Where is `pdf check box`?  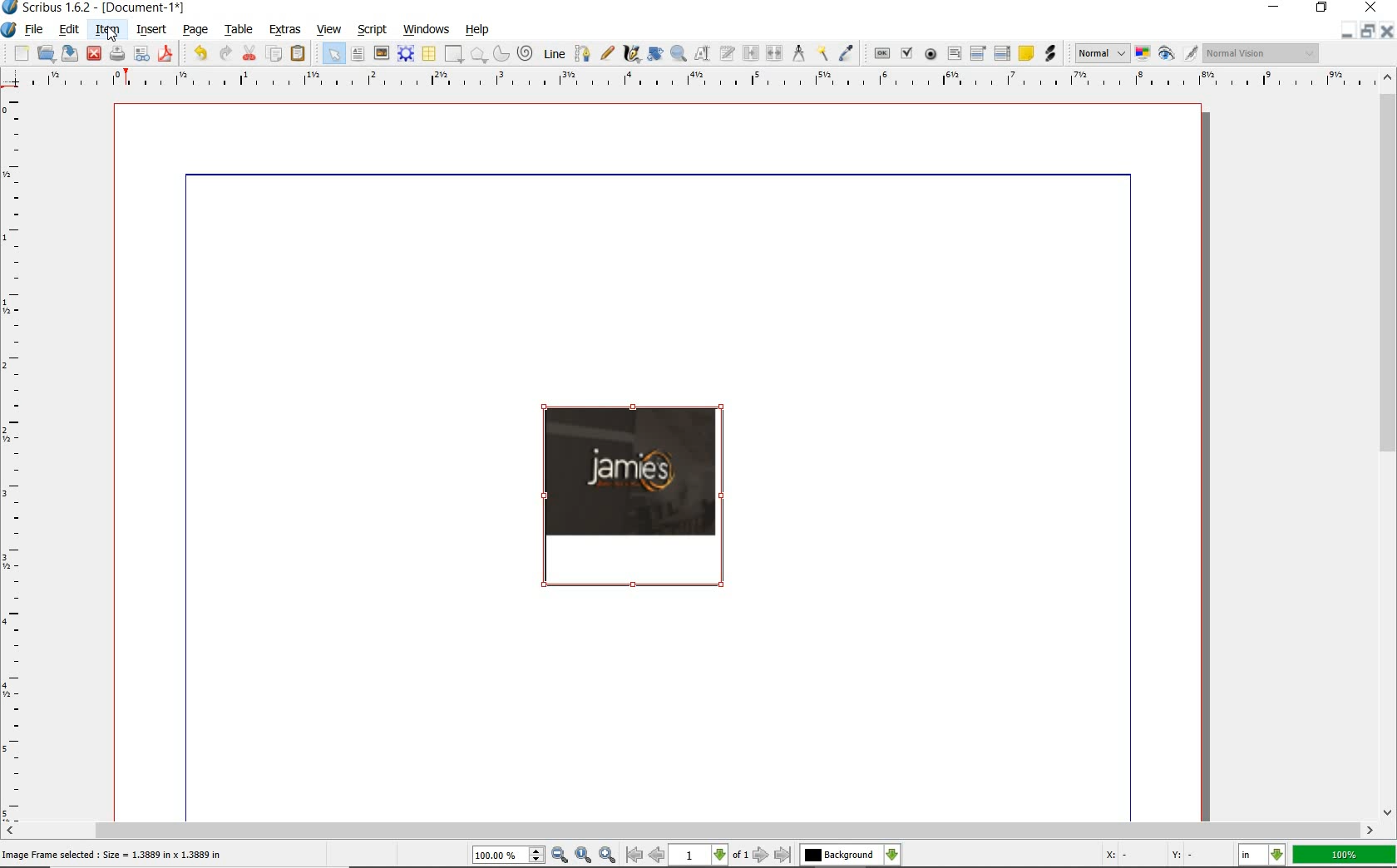
pdf check box is located at coordinates (906, 54).